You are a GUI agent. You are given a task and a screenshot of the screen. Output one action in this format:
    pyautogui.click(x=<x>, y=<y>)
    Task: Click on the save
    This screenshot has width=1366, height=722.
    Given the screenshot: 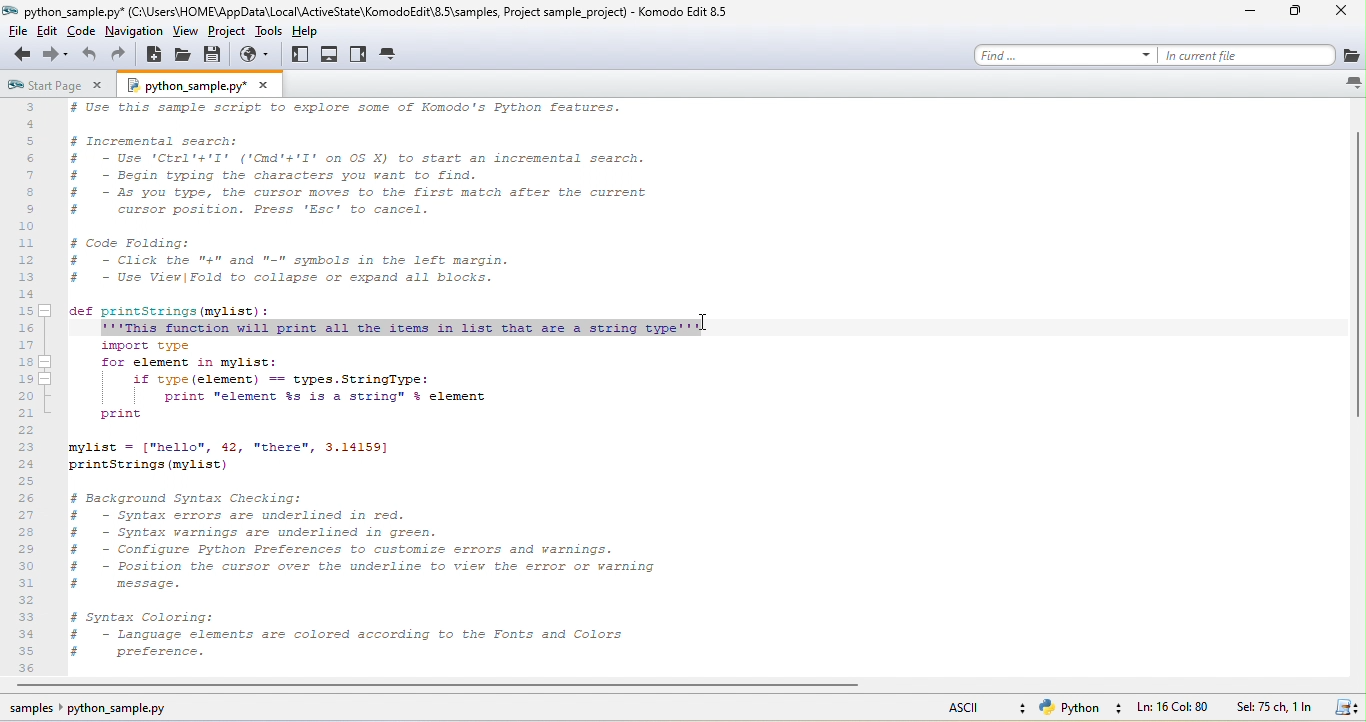 What is the action you would take?
    pyautogui.click(x=1344, y=708)
    